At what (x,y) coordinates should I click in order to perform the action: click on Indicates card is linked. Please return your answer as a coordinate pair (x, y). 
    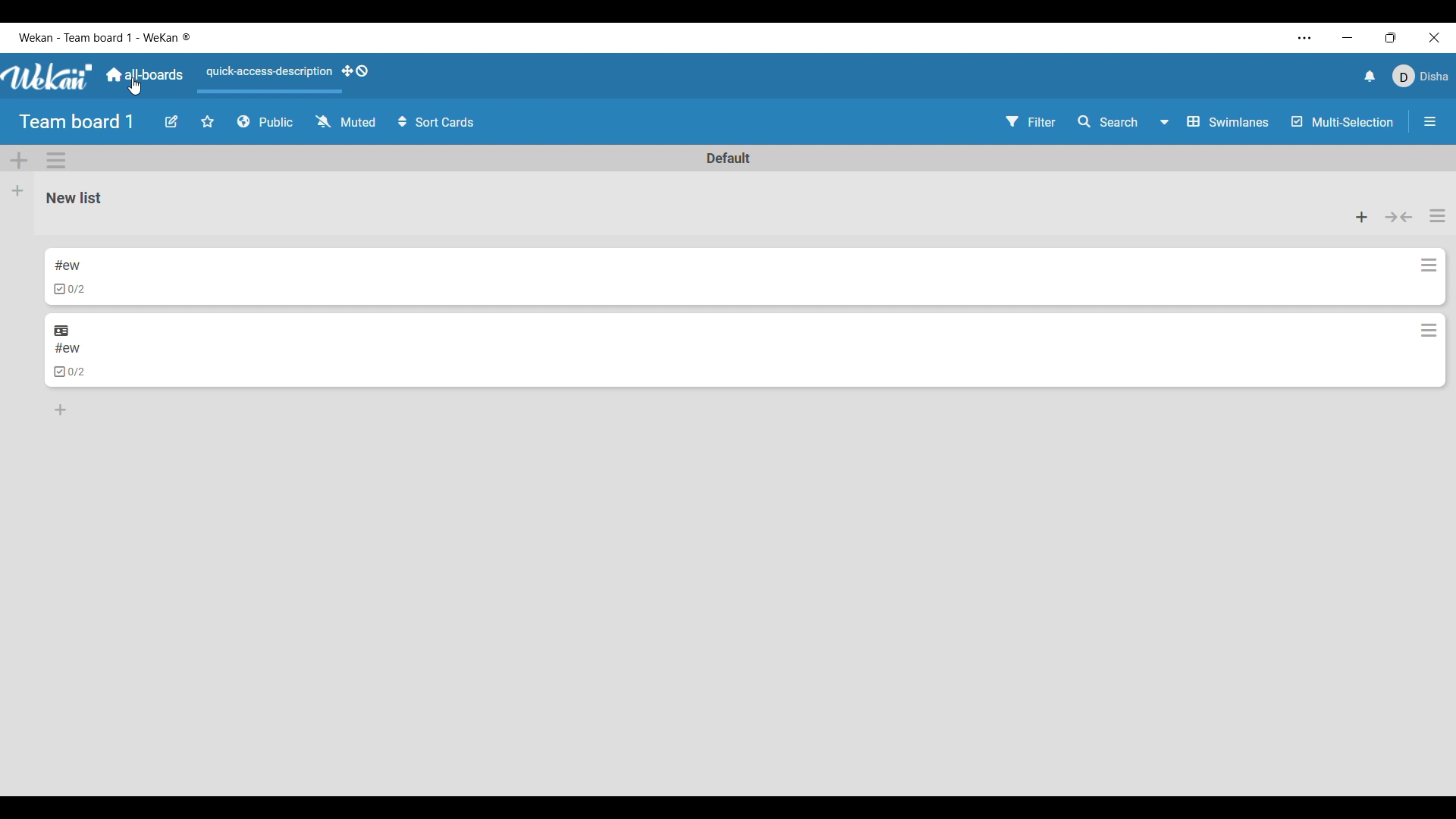
    Looking at the image, I should click on (61, 331).